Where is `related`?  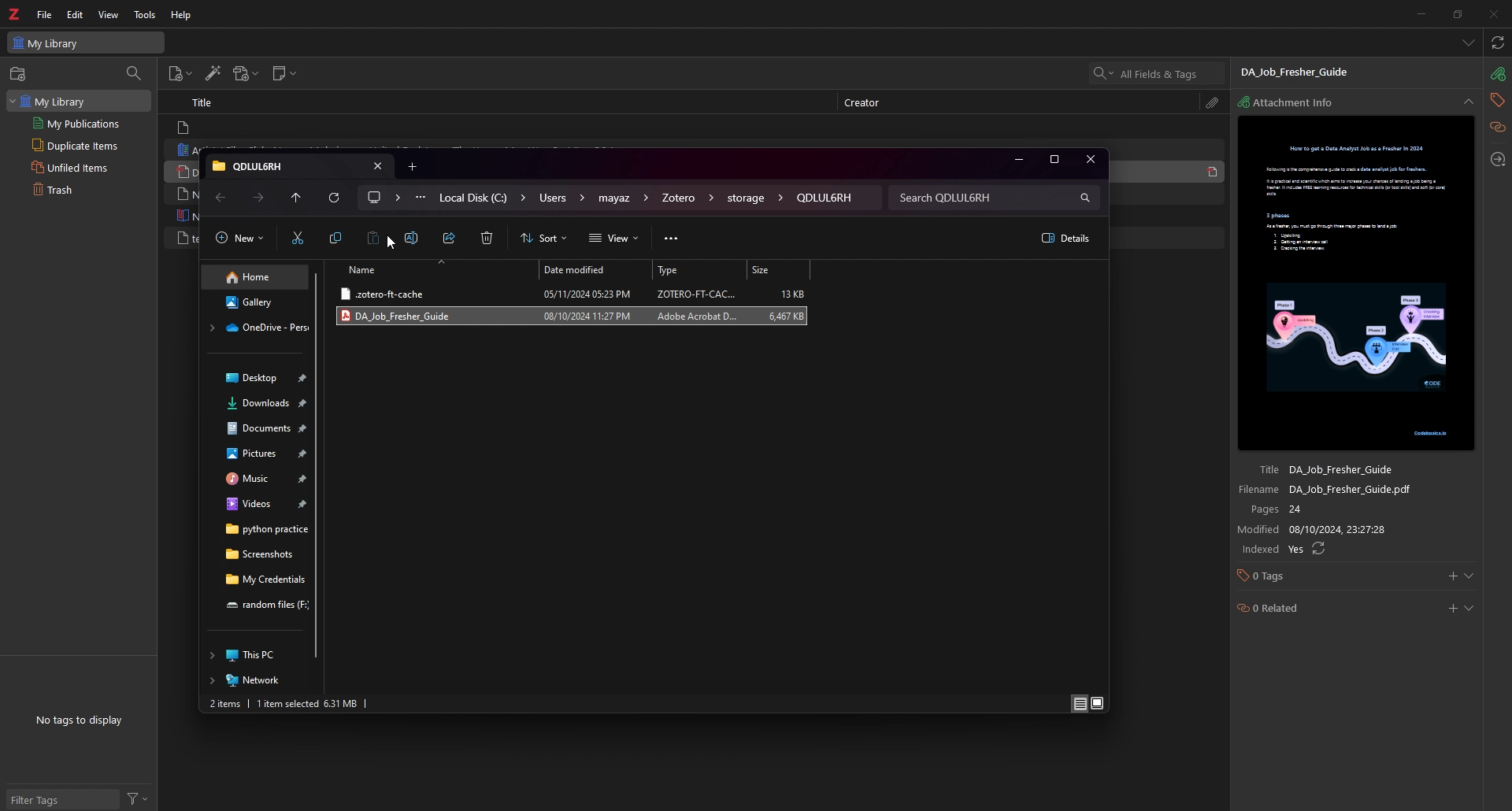
related is located at coordinates (1497, 127).